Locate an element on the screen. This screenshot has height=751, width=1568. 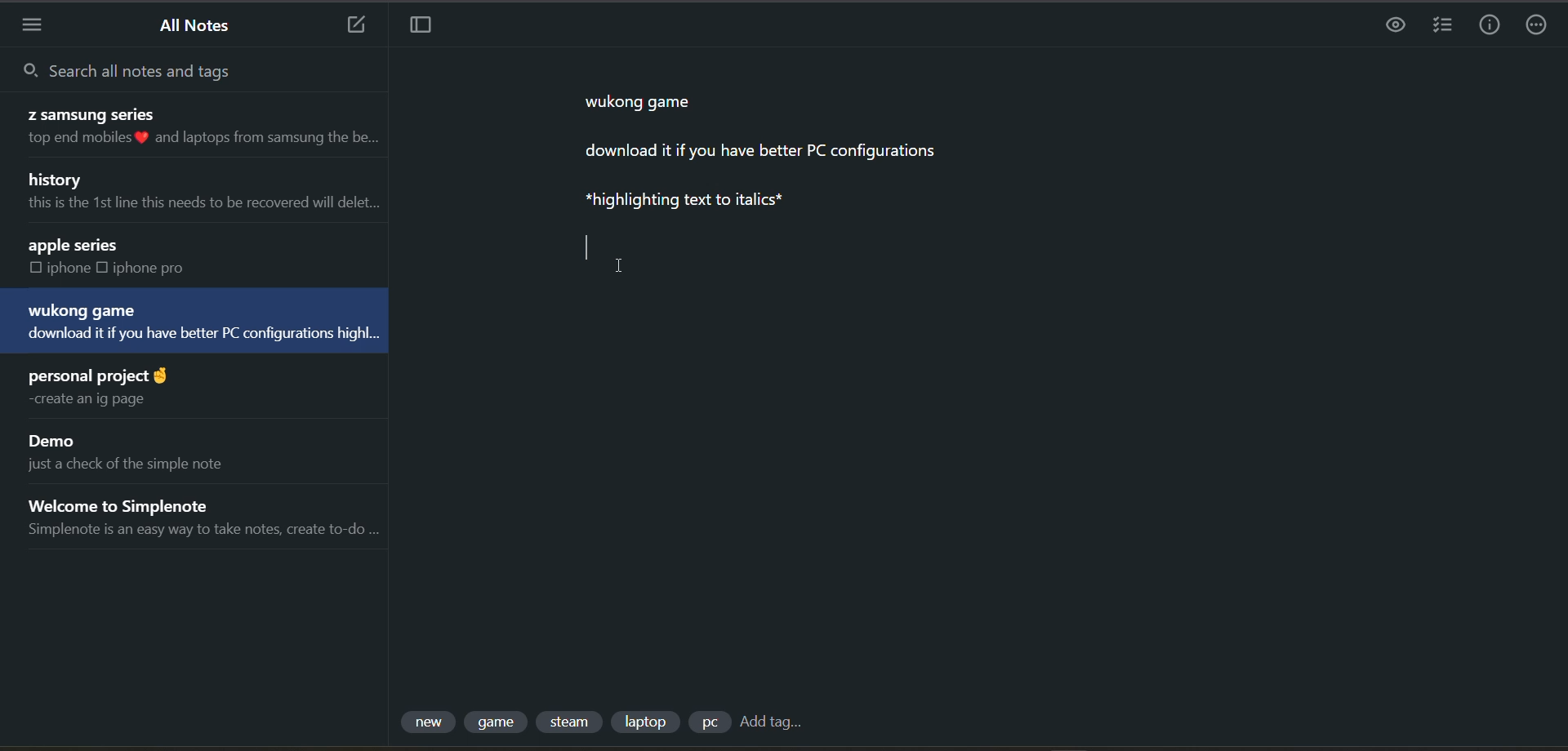
actions is located at coordinates (1532, 26).